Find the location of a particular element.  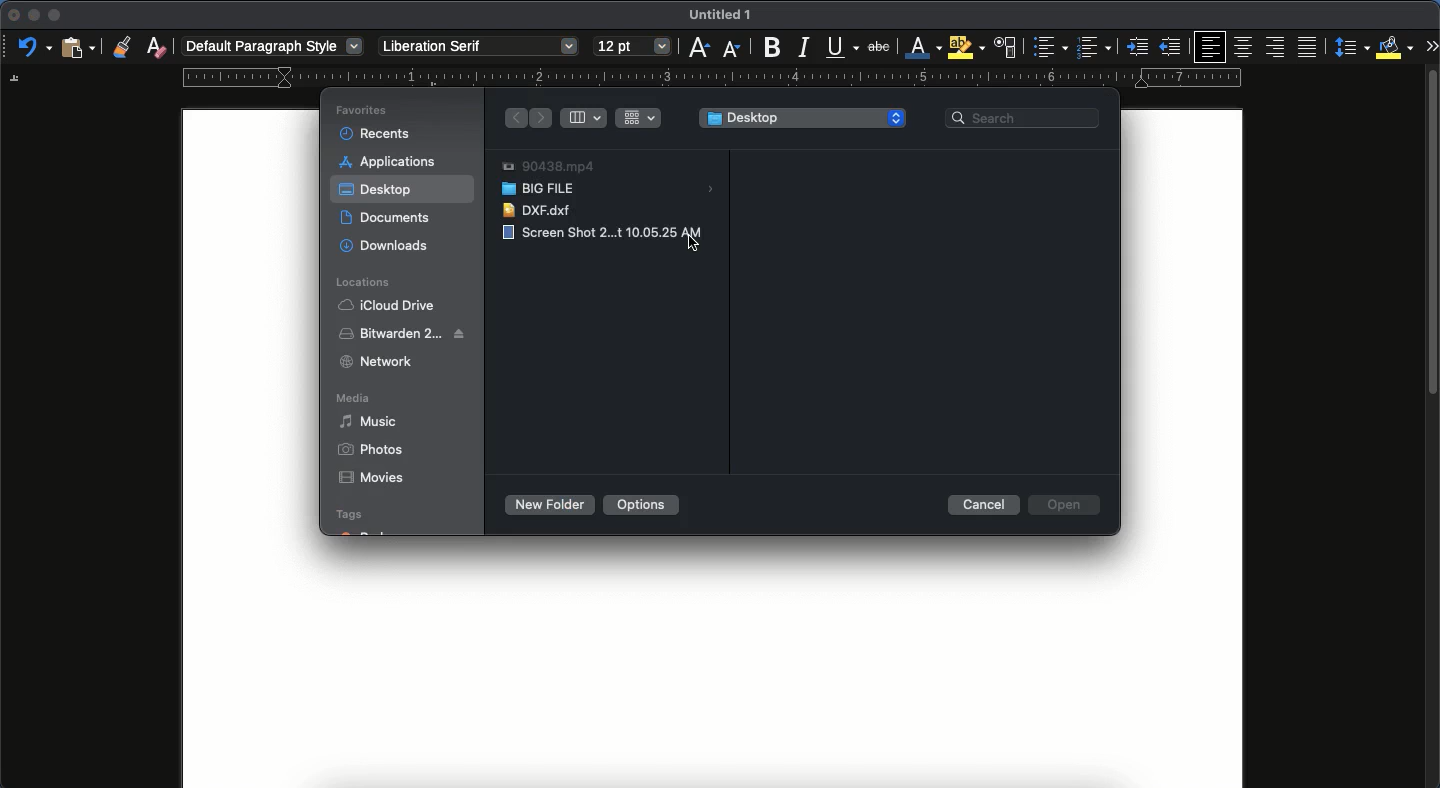

numbered list is located at coordinates (1093, 49).